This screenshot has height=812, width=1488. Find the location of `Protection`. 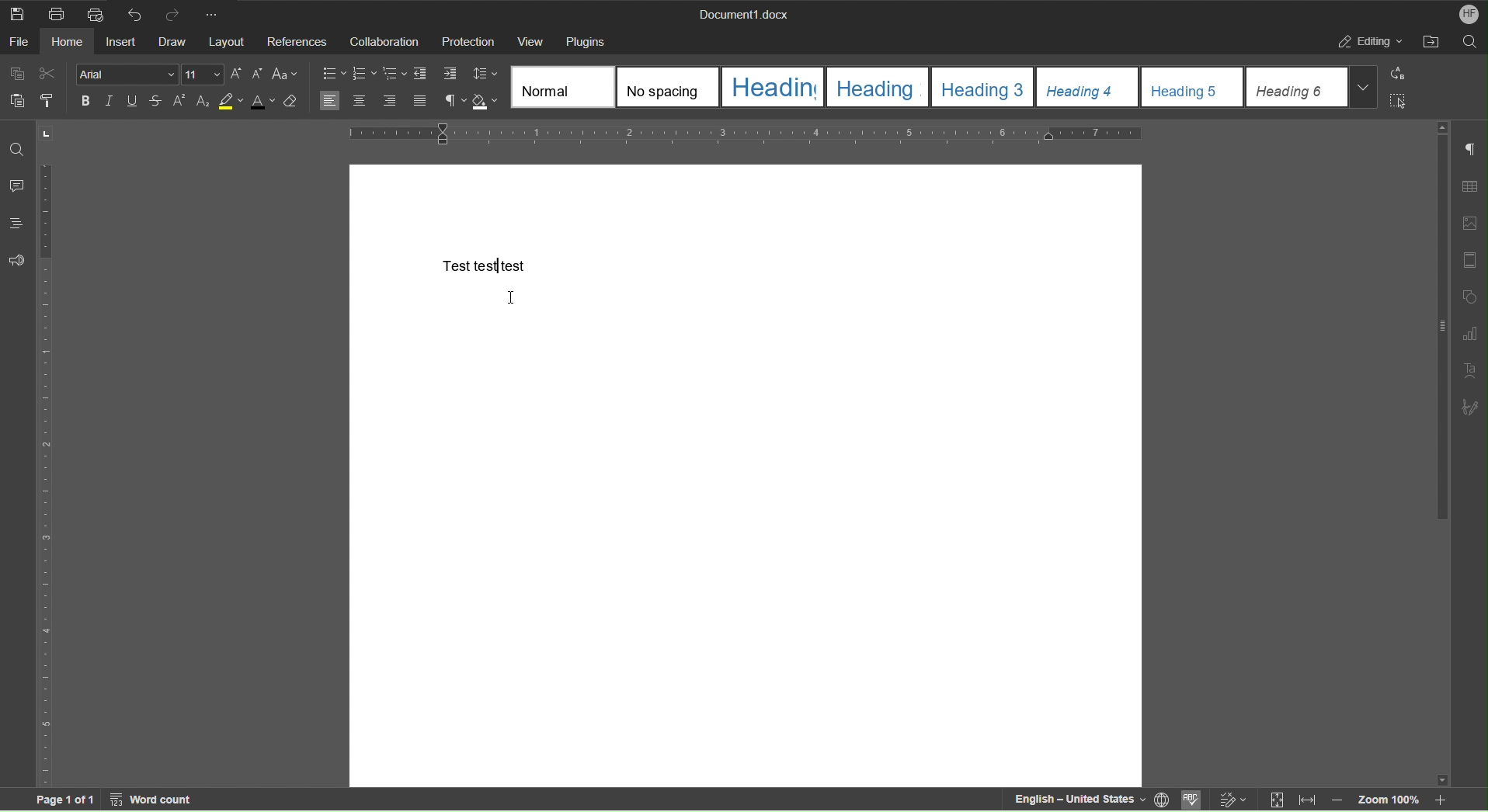

Protection is located at coordinates (467, 40).